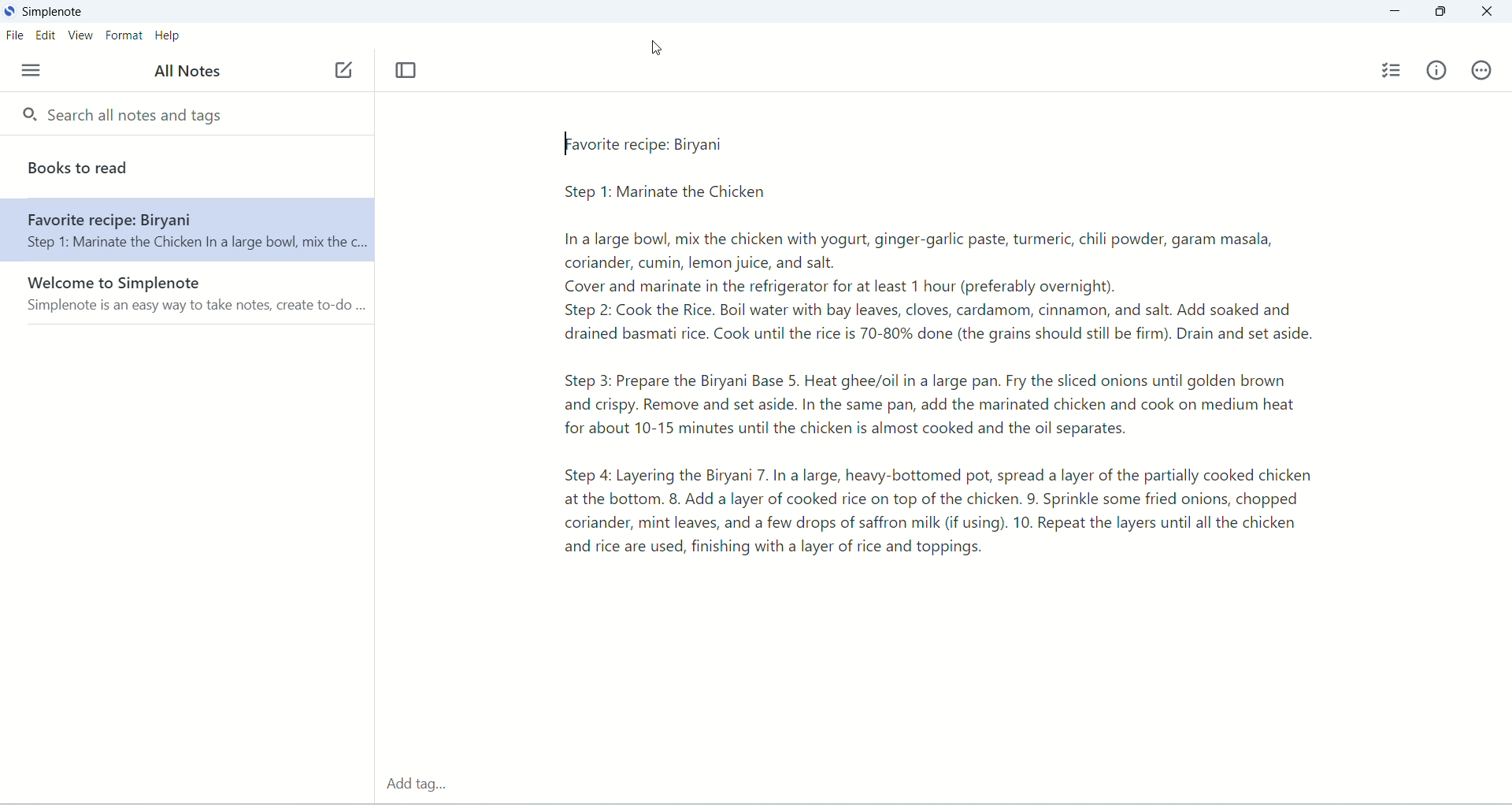 This screenshot has width=1512, height=805. What do you see at coordinates (9, 9) in the screenshot?
I see `logo` at bounding box center [9, 9].